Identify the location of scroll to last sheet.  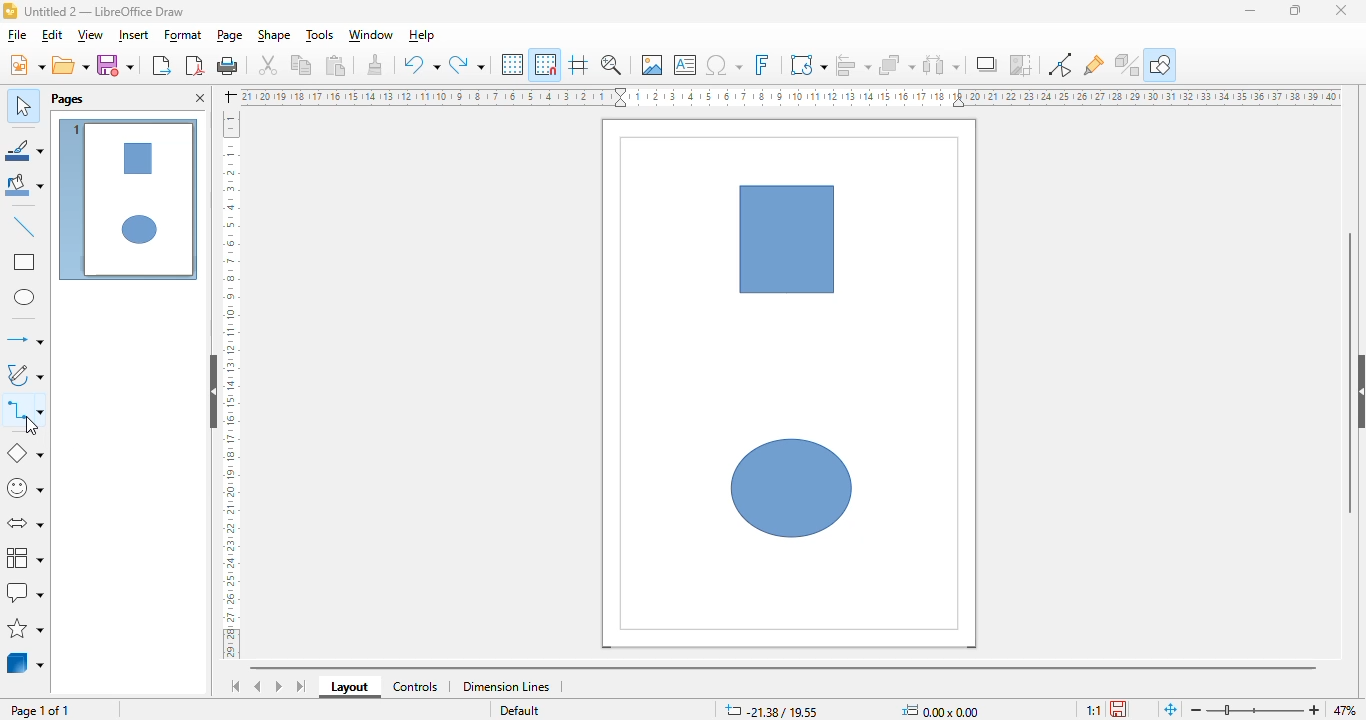
(302, 687).